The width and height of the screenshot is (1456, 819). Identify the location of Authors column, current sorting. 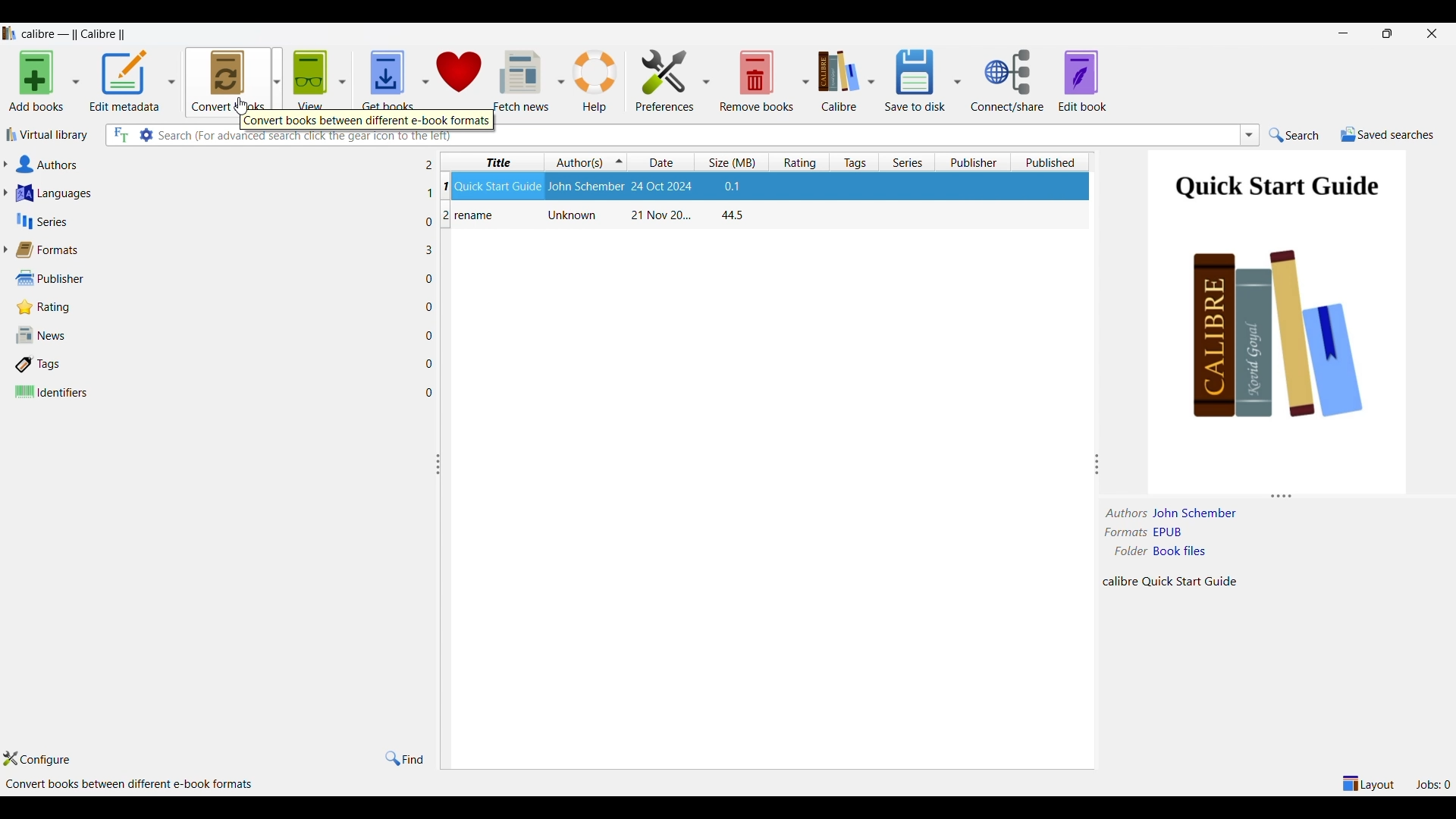
(586, 161).